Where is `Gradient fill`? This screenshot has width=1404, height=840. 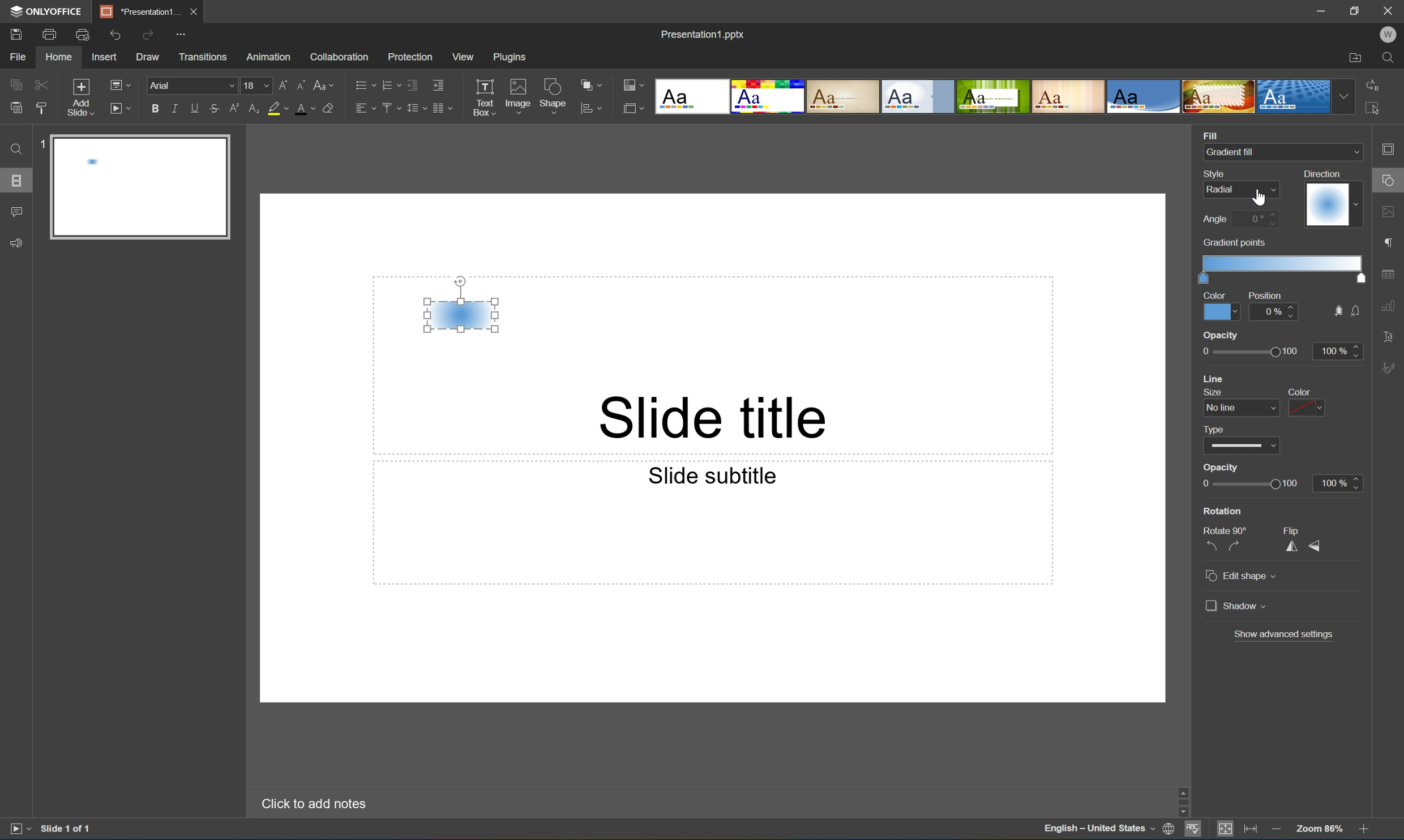 Gradient fill is located at coordinates (1233, 152).